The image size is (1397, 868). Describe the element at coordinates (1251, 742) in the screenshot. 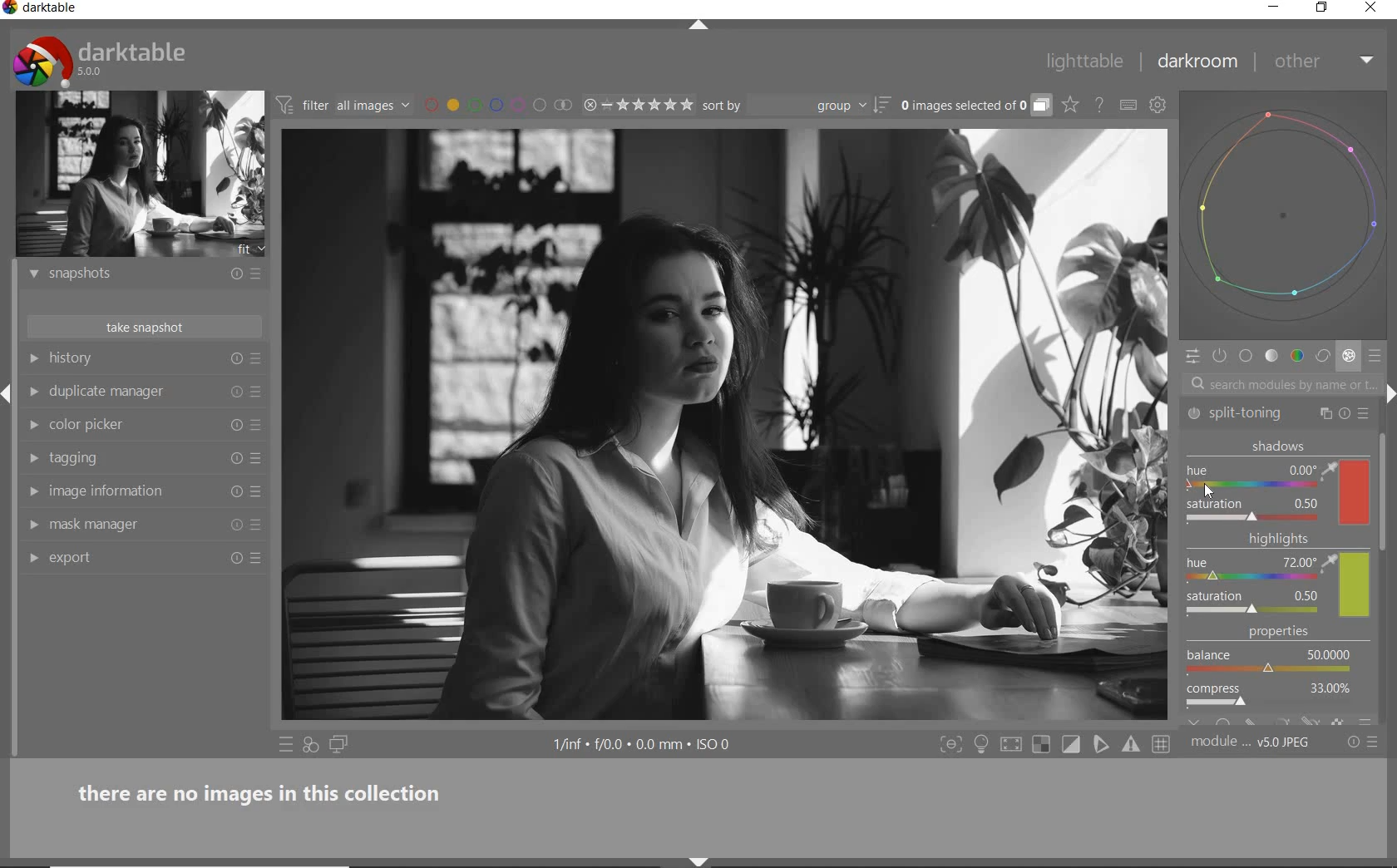

I see `module...V5.0 JPEG` at that location.